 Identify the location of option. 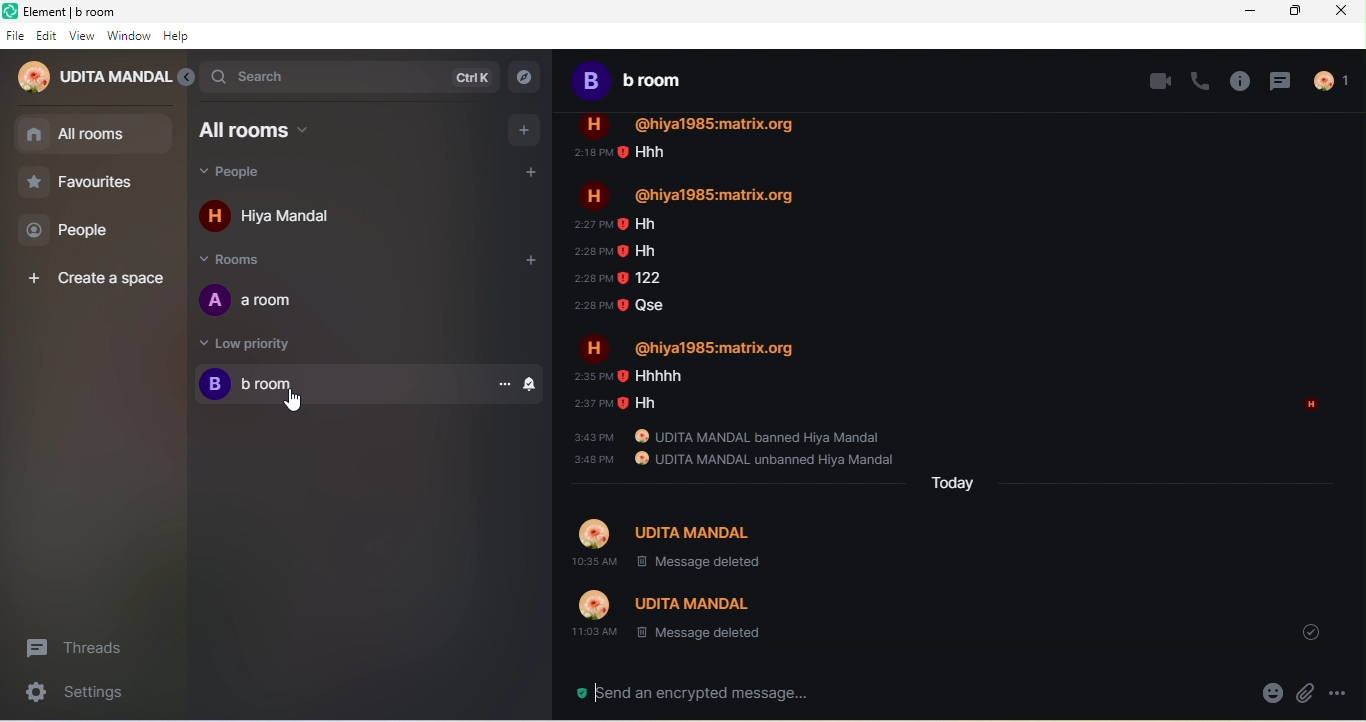
(1342, 694).